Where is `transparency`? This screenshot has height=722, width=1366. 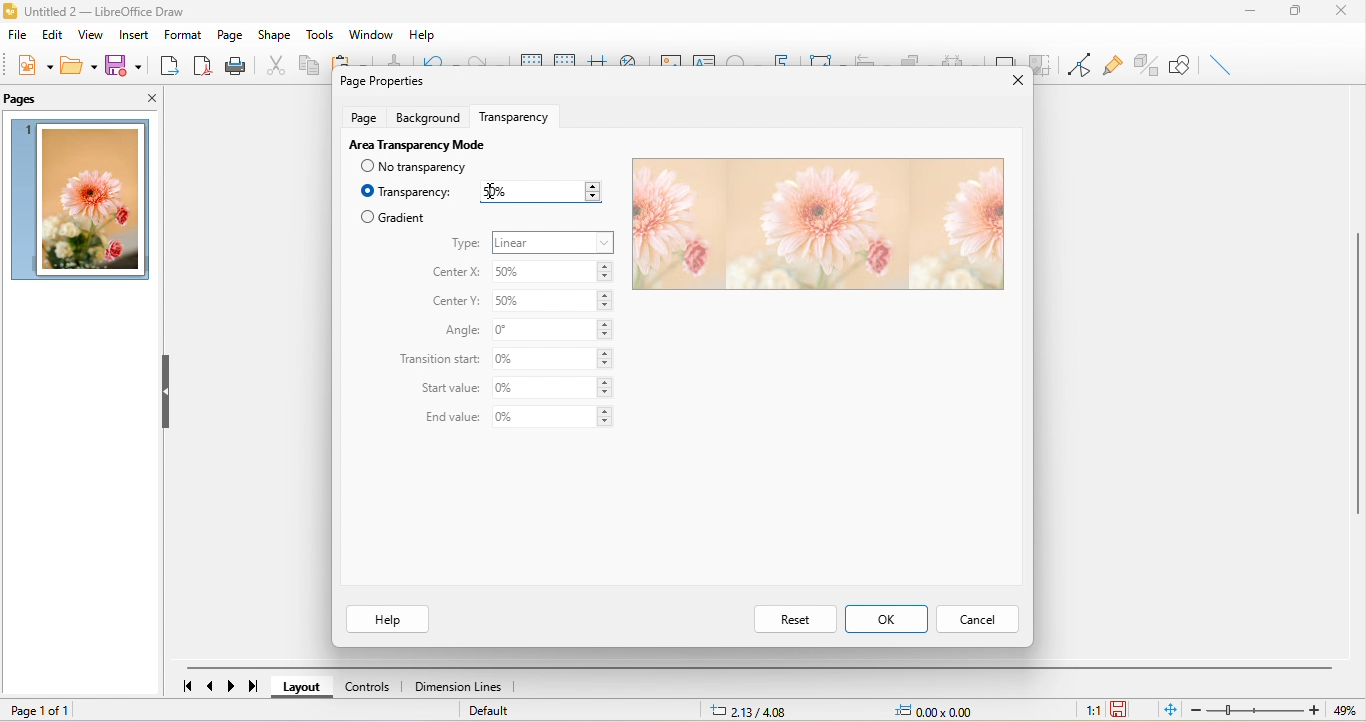
transparency is located at coordinates (520, 114).